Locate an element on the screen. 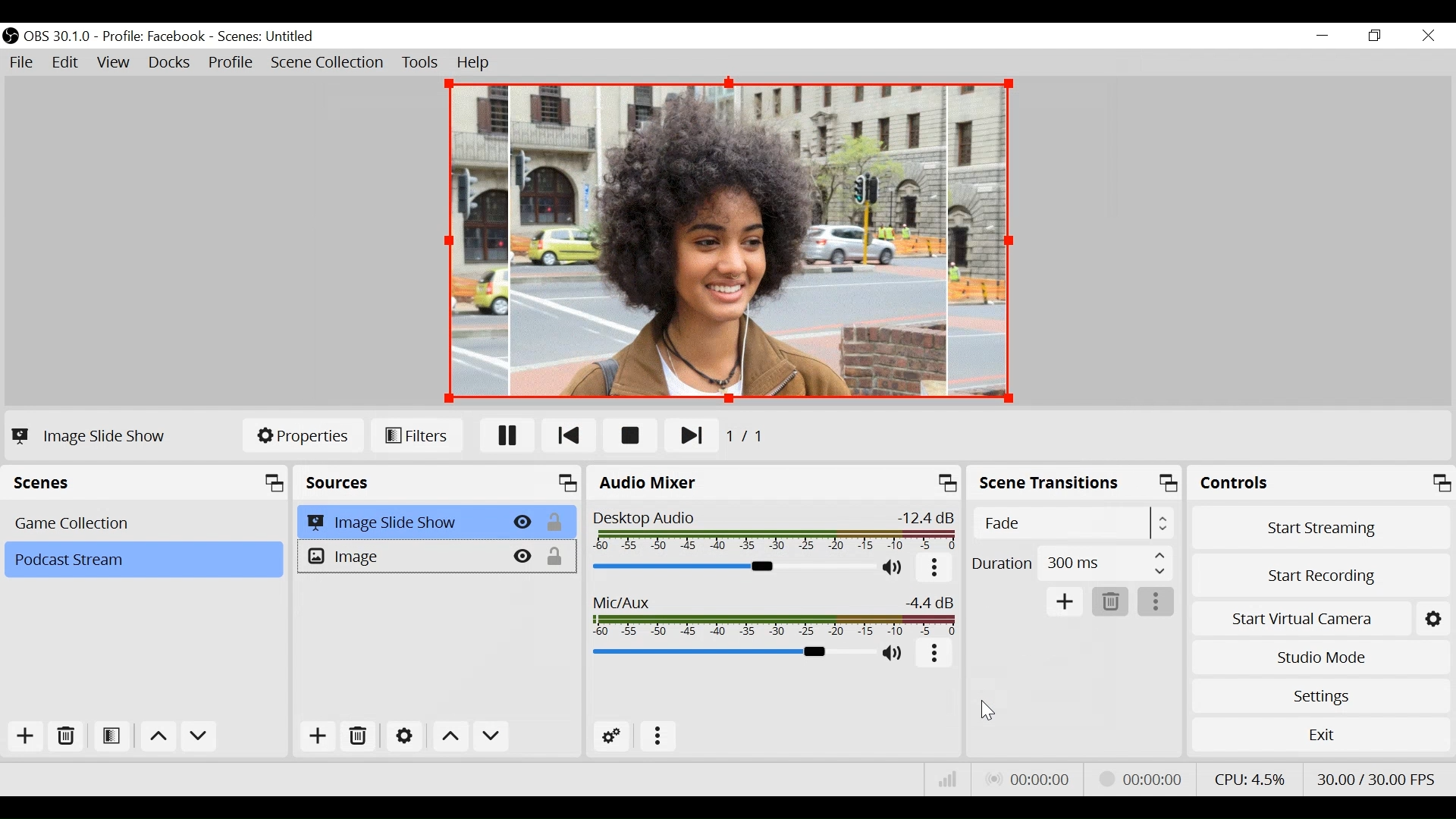 The width and height of the screenshot is (1456, 819). Add is located at coordinates (24, 736).